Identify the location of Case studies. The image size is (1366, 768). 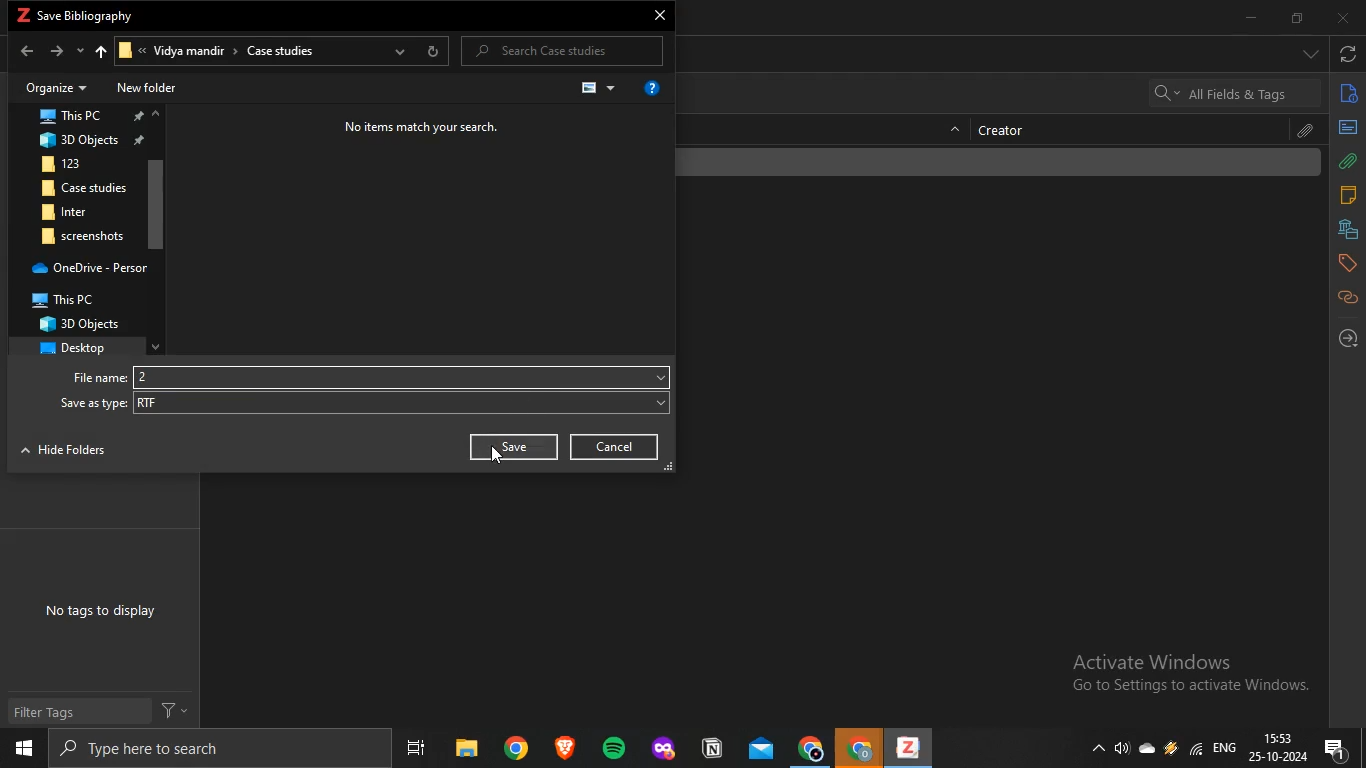
(287, 51).